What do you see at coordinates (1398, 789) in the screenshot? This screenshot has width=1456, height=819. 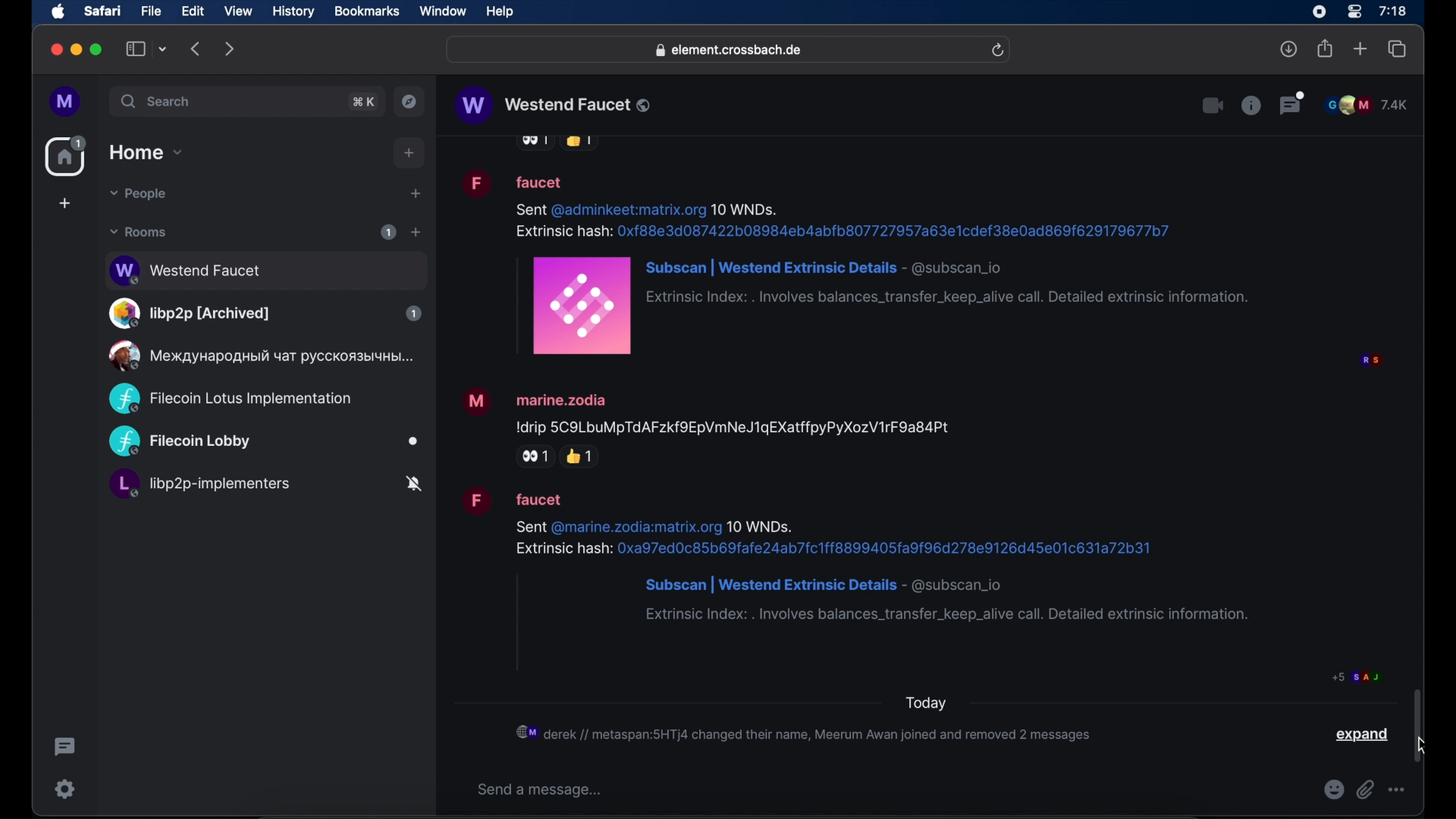 I see `more option` at bounding box center [1398, 789].